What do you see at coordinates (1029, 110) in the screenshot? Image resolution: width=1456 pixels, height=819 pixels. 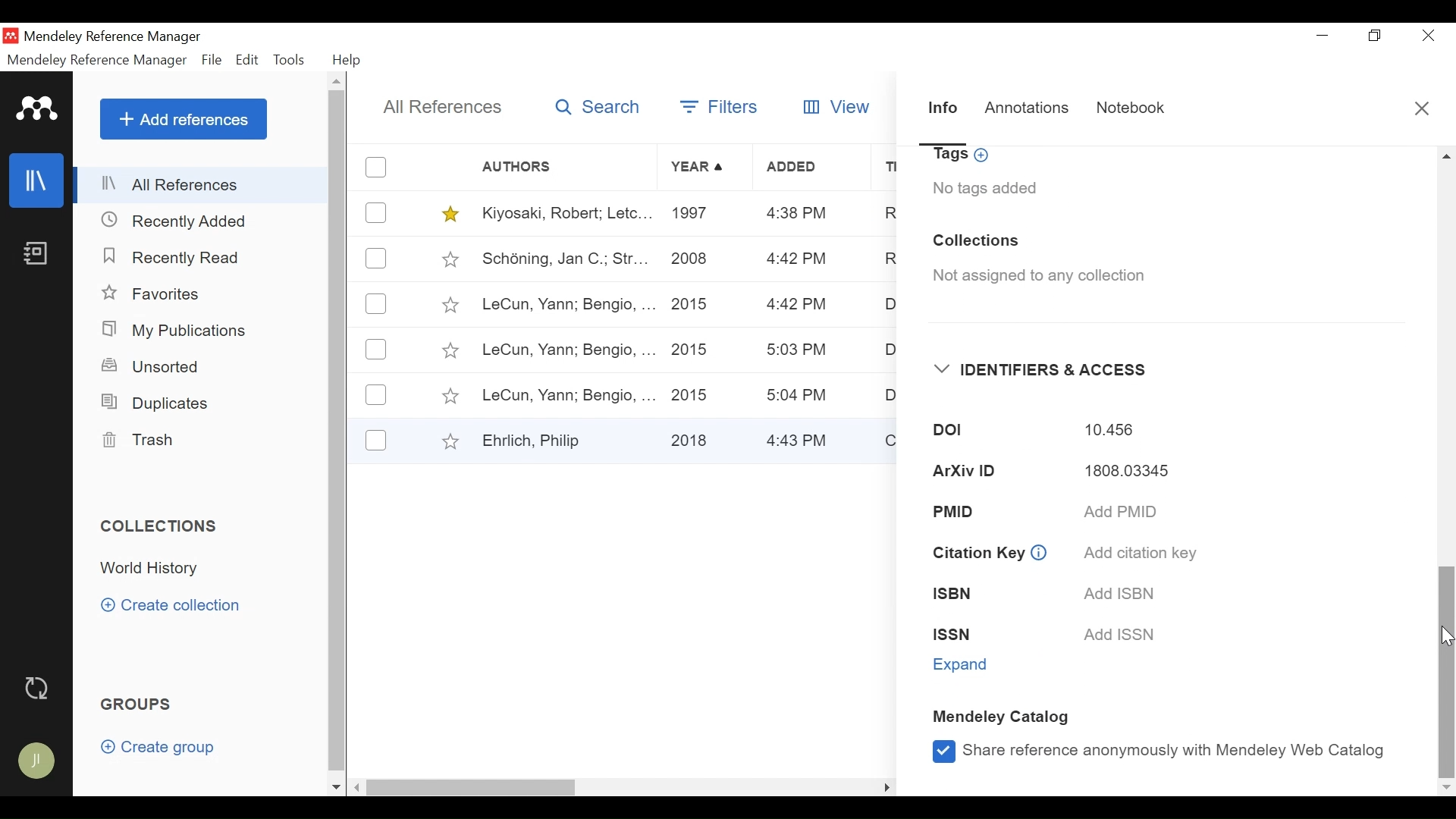 I see `Annotation` at bounding box center [1029, 110].